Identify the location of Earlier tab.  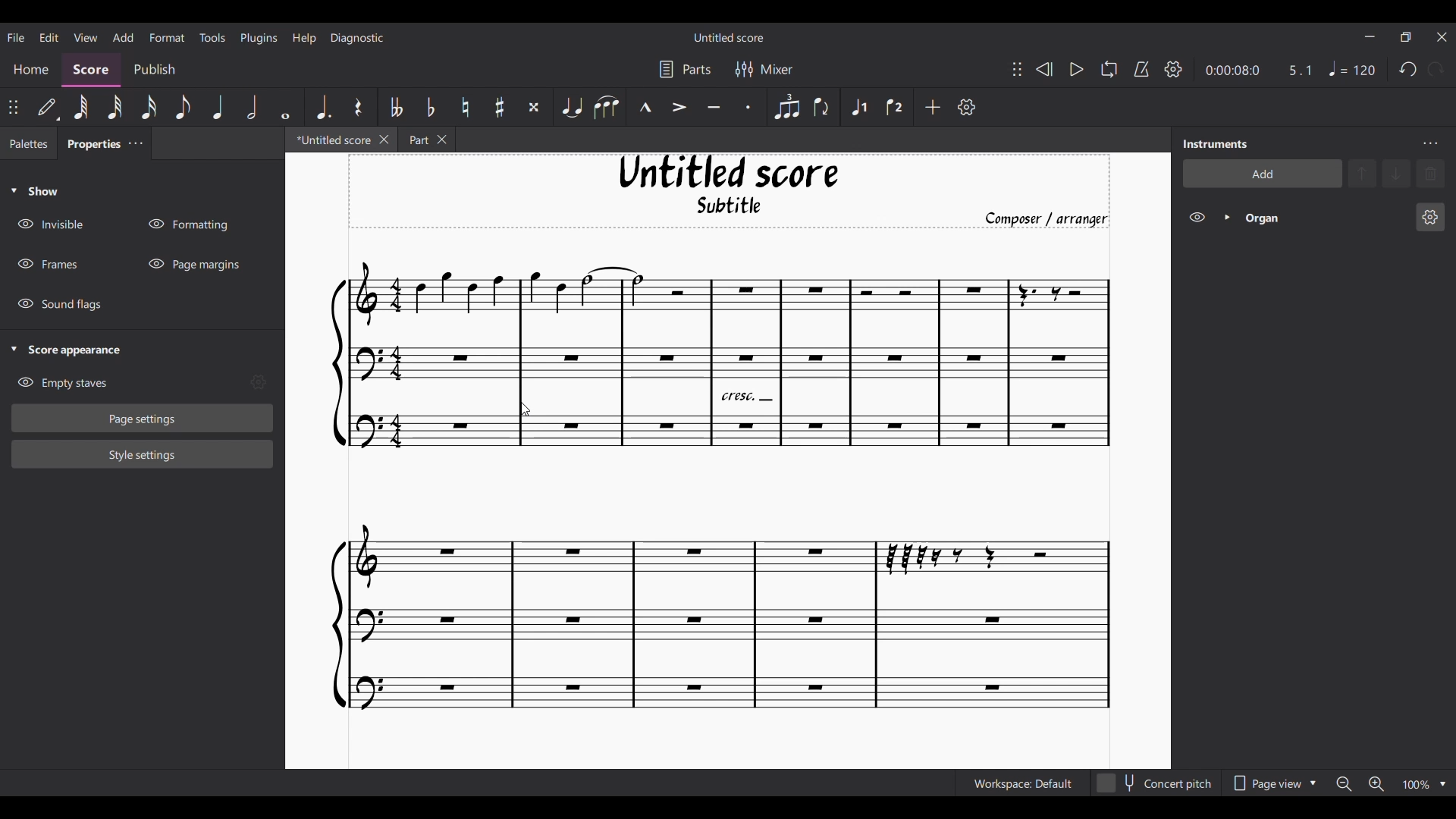
(426, 140).